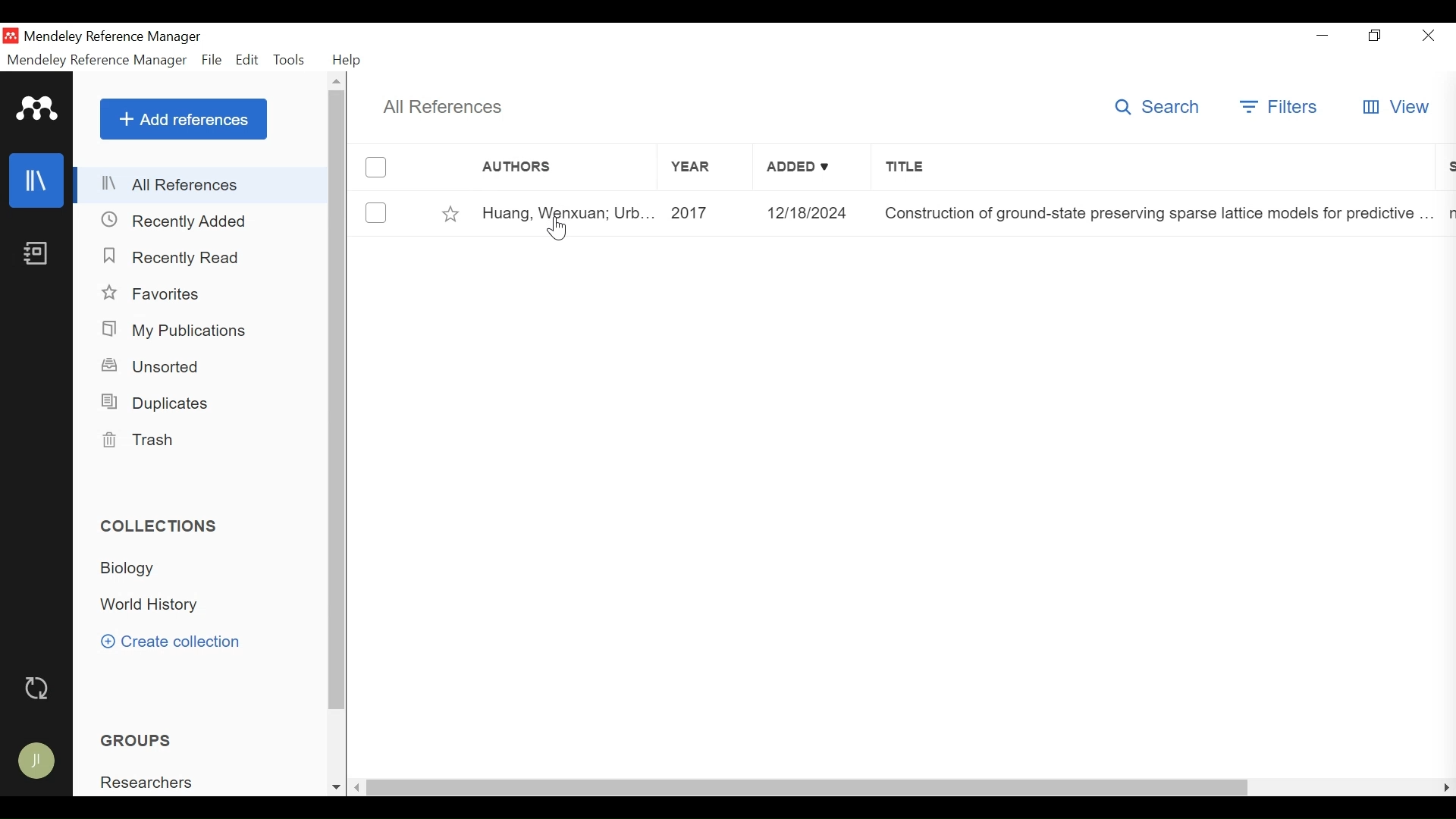 This screenshot has width=1456, height=819. Describe the element at coordinates (340, 400) in the screenshot. I see `Vertical Scroll bar` at that location.